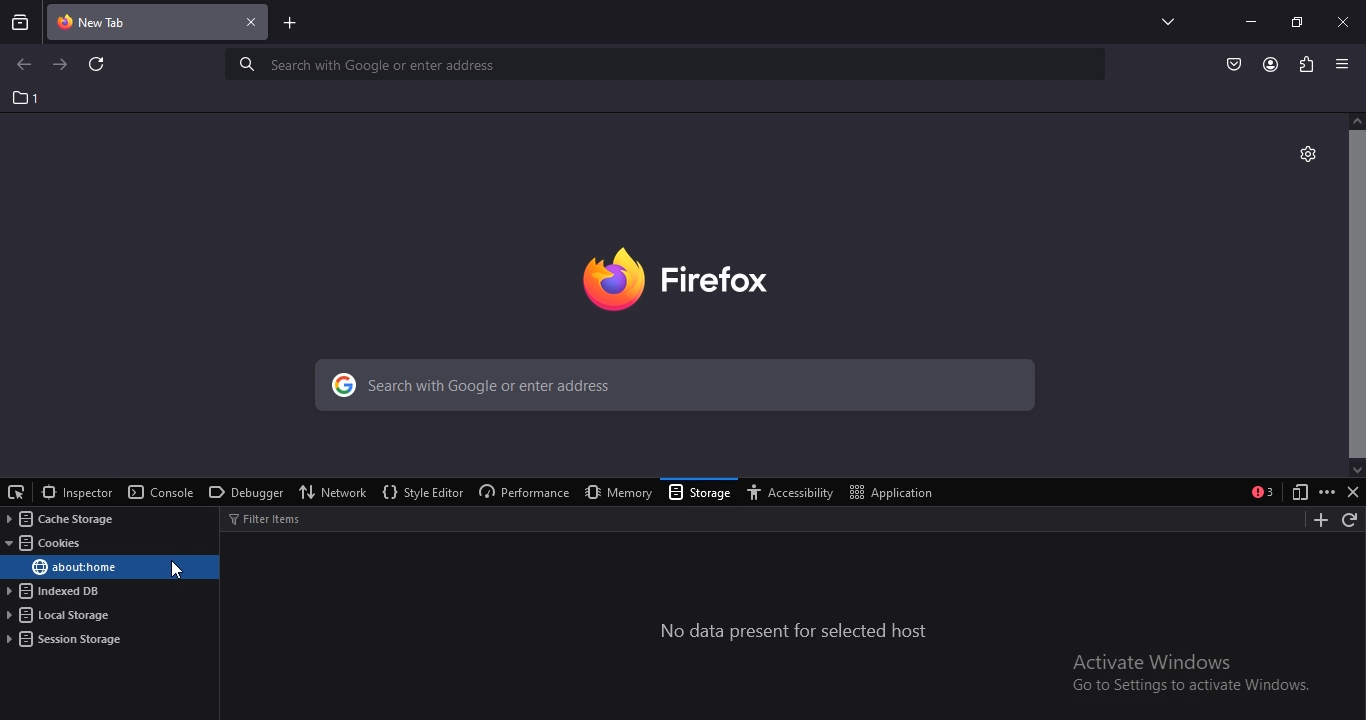 The width and height of the screenshot is (1366, 720). I want to click on search tabs, so click(21, 22).